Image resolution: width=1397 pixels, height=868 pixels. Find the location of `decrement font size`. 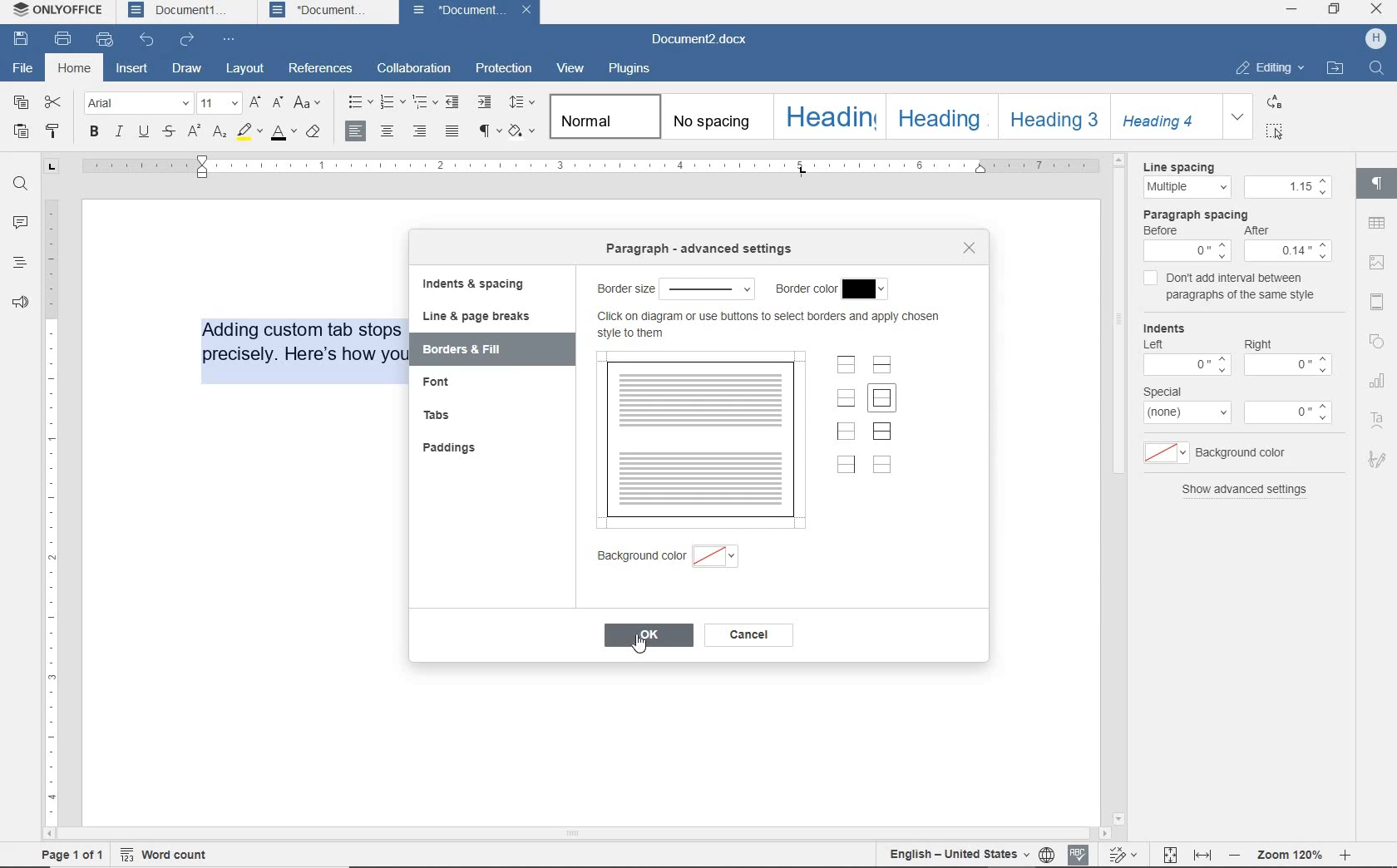

decrement font size is located at coordinates (277, 104).